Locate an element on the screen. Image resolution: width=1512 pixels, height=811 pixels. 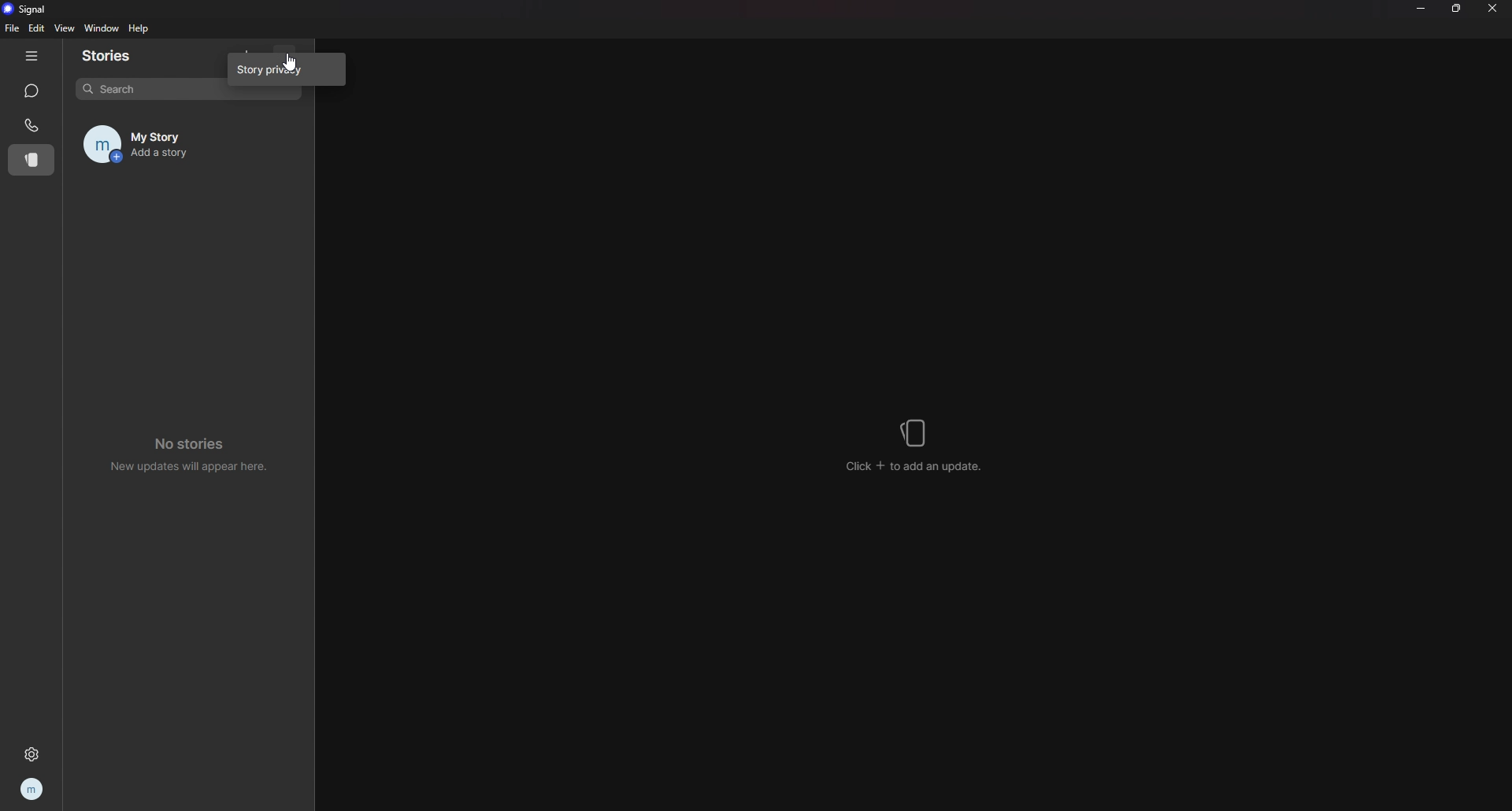
story privacy is located at coordinates (286, 69).